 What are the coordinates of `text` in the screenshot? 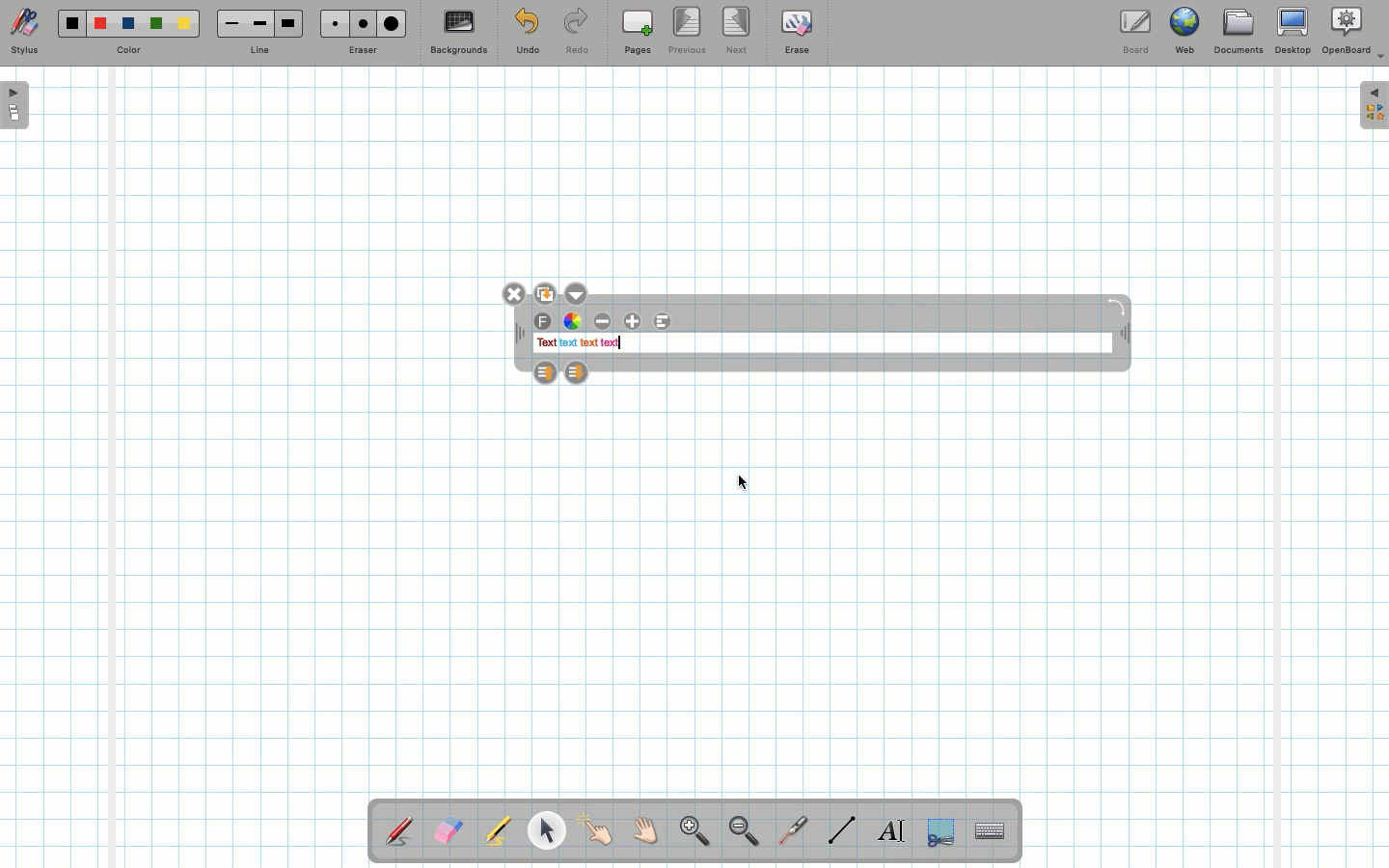 It's located at (567, 343).